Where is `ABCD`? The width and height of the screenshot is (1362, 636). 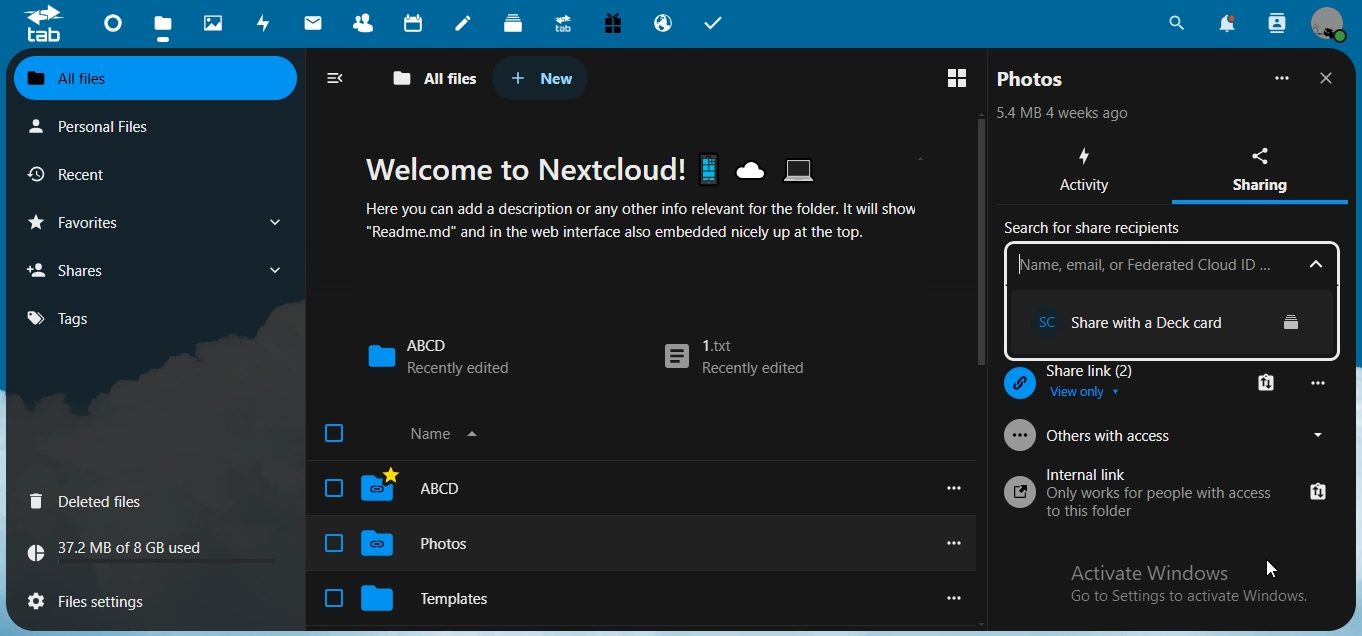 ABCD is located at coordinates (438, 356).